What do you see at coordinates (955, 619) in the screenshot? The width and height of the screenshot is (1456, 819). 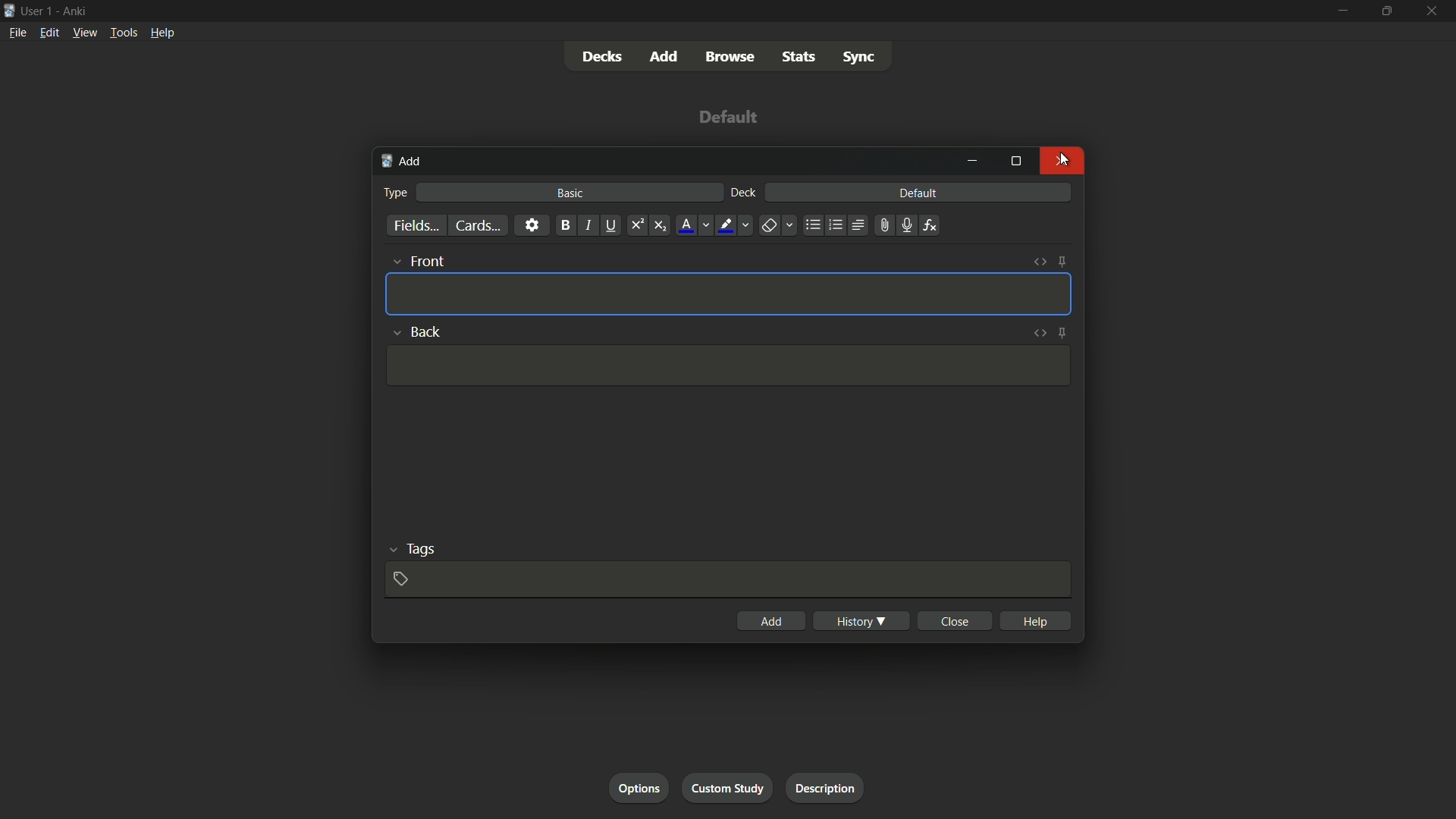 I see `close` at bounding box center [955, 619].